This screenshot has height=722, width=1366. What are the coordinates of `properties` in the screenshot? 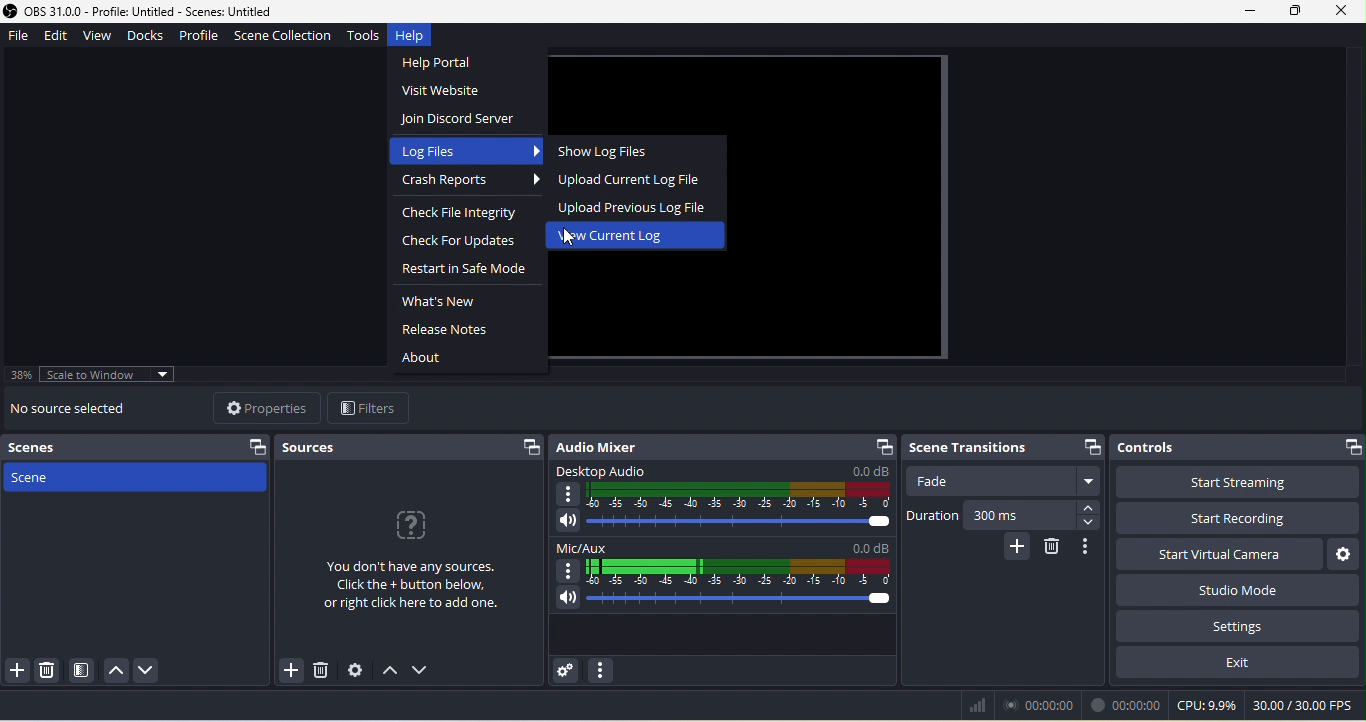 It's located at (261, 407).